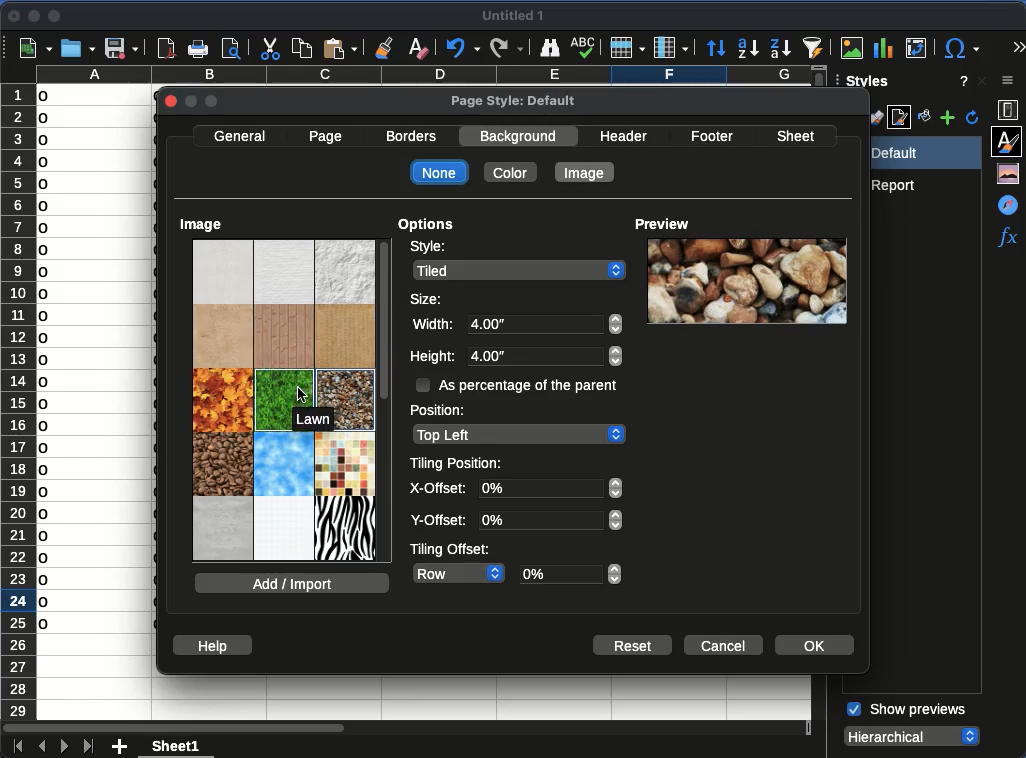 This screenshot has width=1026, height=758. I want to click on ascending, so click(747, 49).